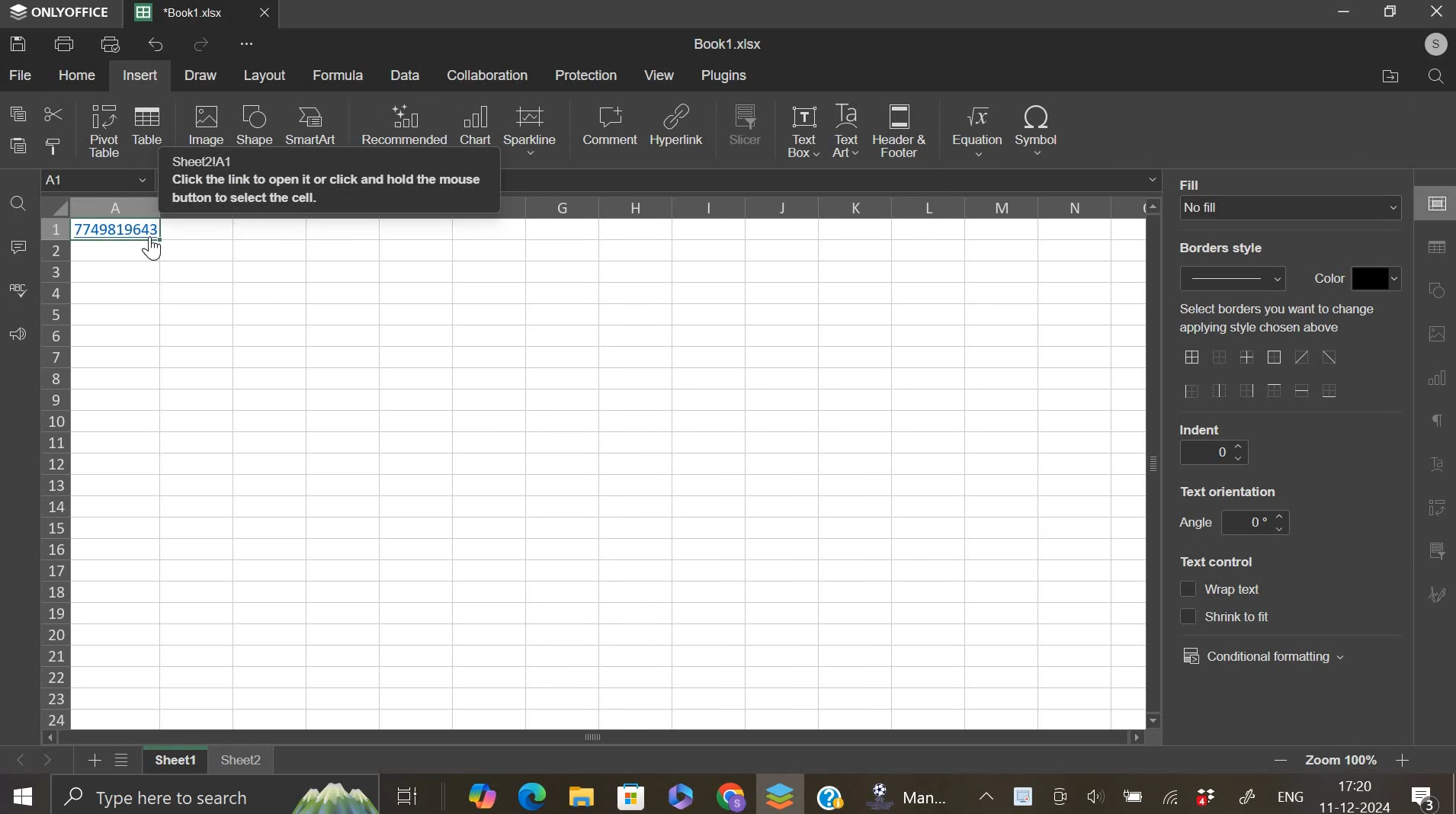  I want to click on spelling, so click(18, 290).